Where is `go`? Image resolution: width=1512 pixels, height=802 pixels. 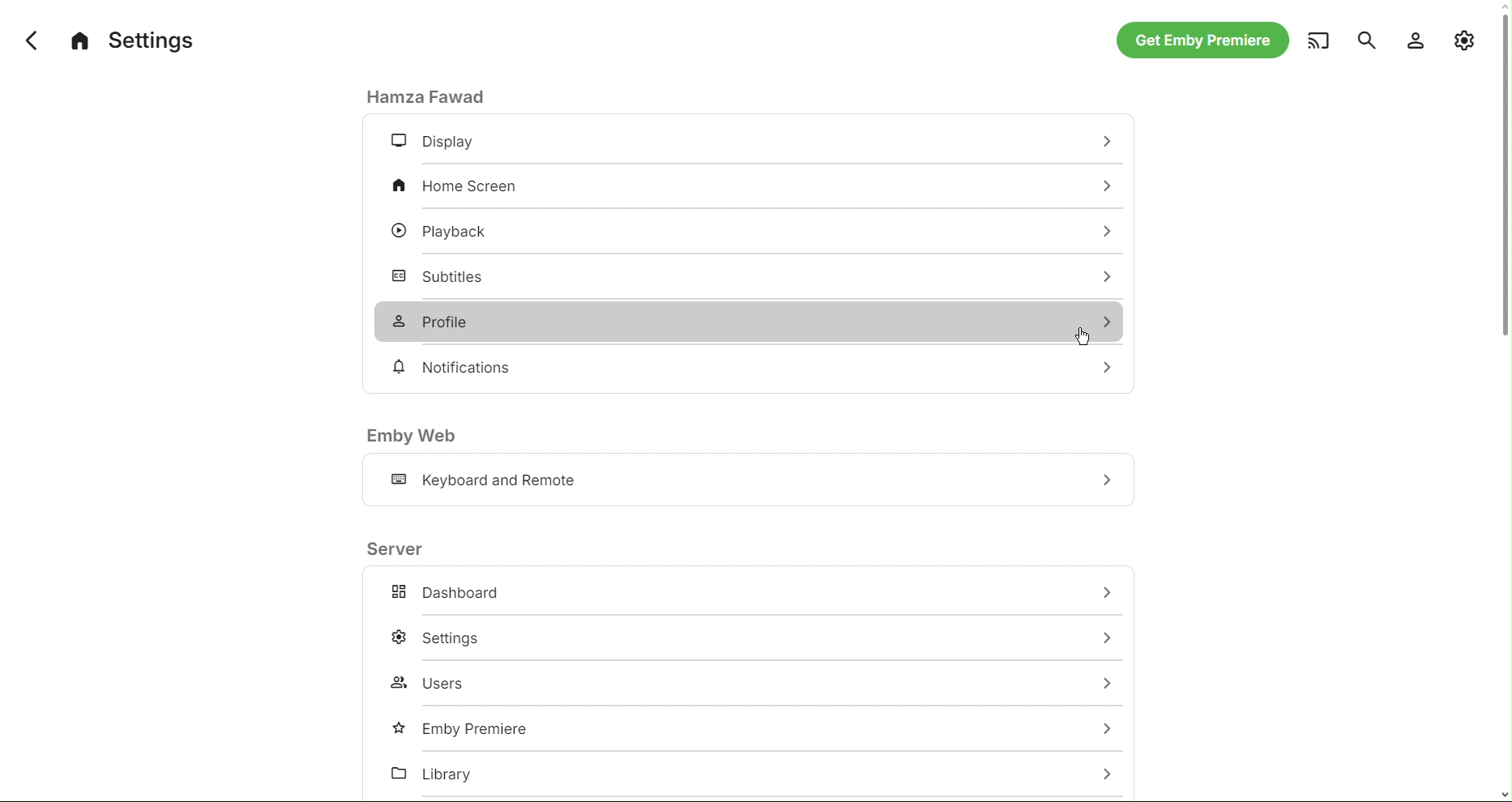 go is located at coordinates (1106, 480).